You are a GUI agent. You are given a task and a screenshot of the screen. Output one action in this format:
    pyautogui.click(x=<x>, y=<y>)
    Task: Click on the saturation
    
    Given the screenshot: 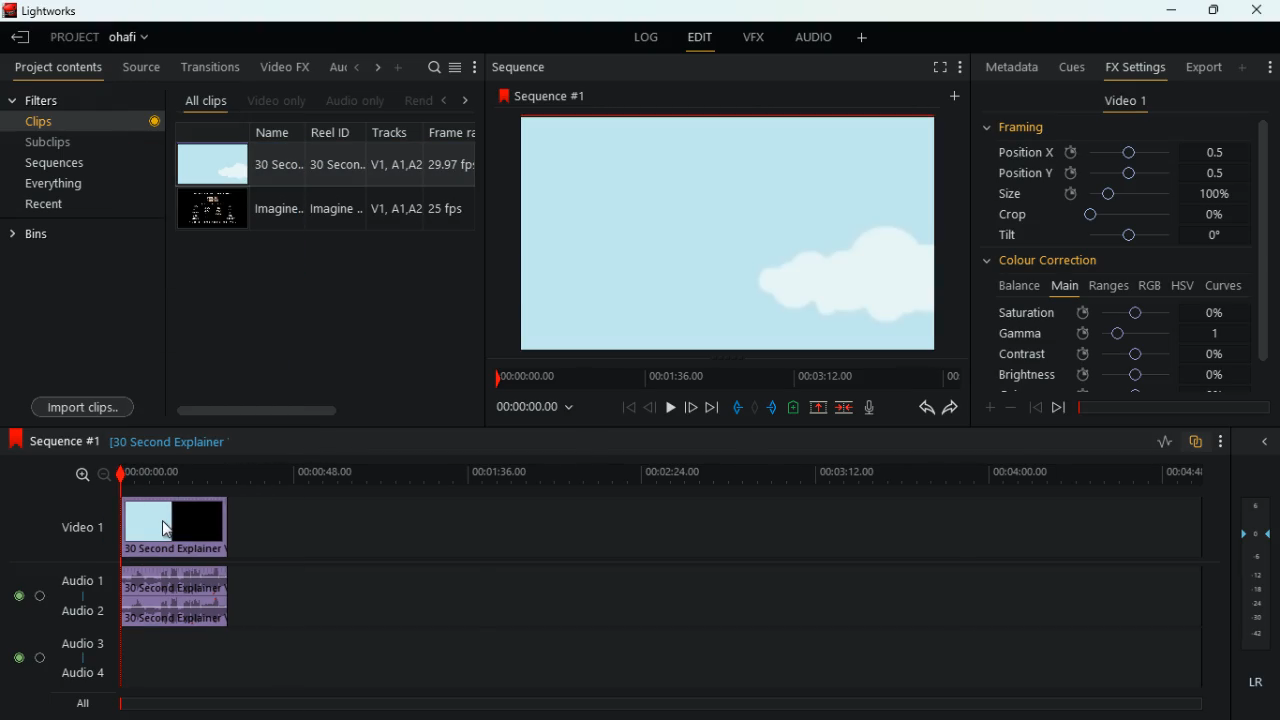 What is the action you would take?
    pyautogui.click(x=1116, y=311)
    